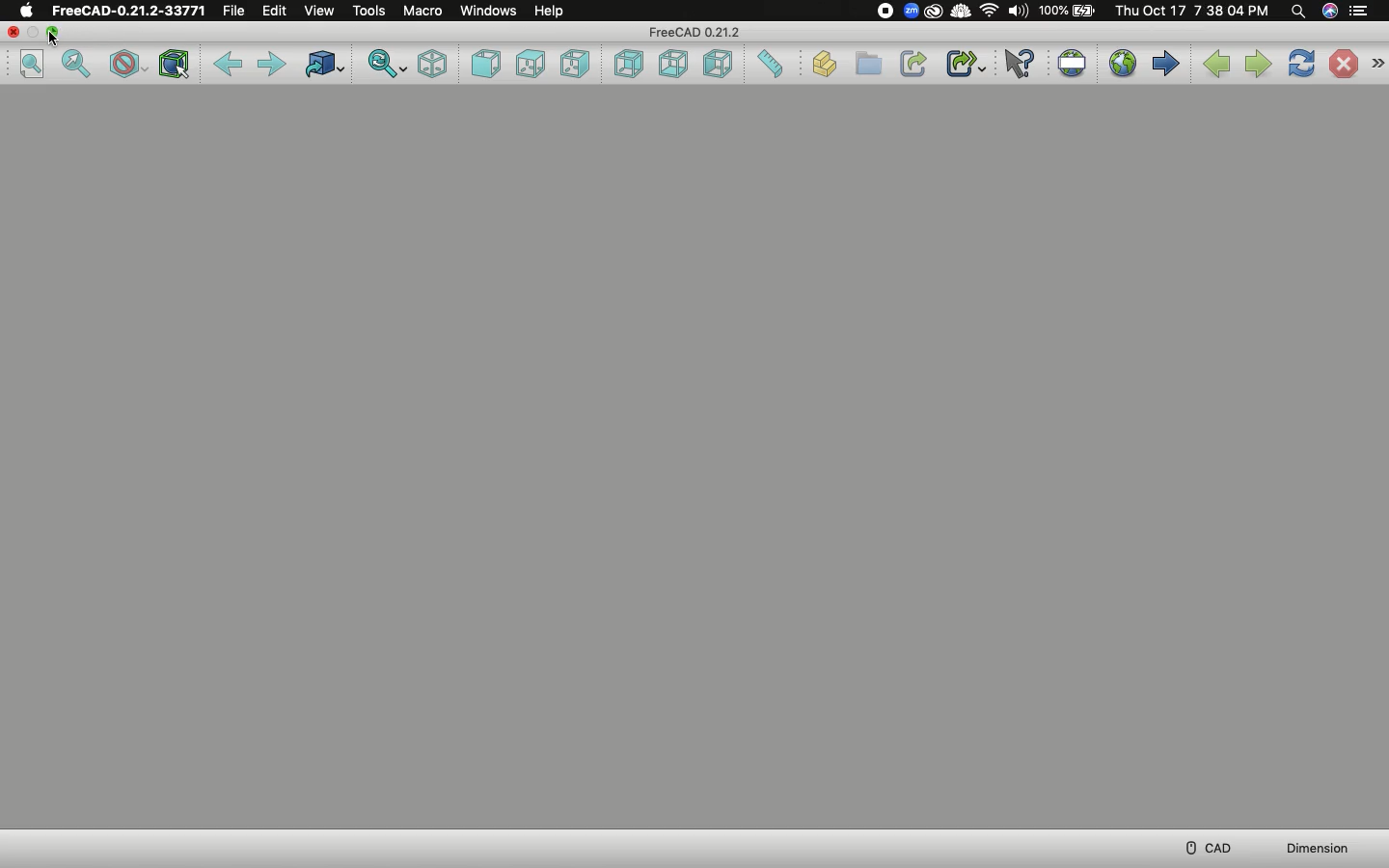 This screenshot has height=868, width=1389. What do you see at coordinates (1375, 64) in the screenshot?
I see `Navigation` at bounding box center [1375, 64].